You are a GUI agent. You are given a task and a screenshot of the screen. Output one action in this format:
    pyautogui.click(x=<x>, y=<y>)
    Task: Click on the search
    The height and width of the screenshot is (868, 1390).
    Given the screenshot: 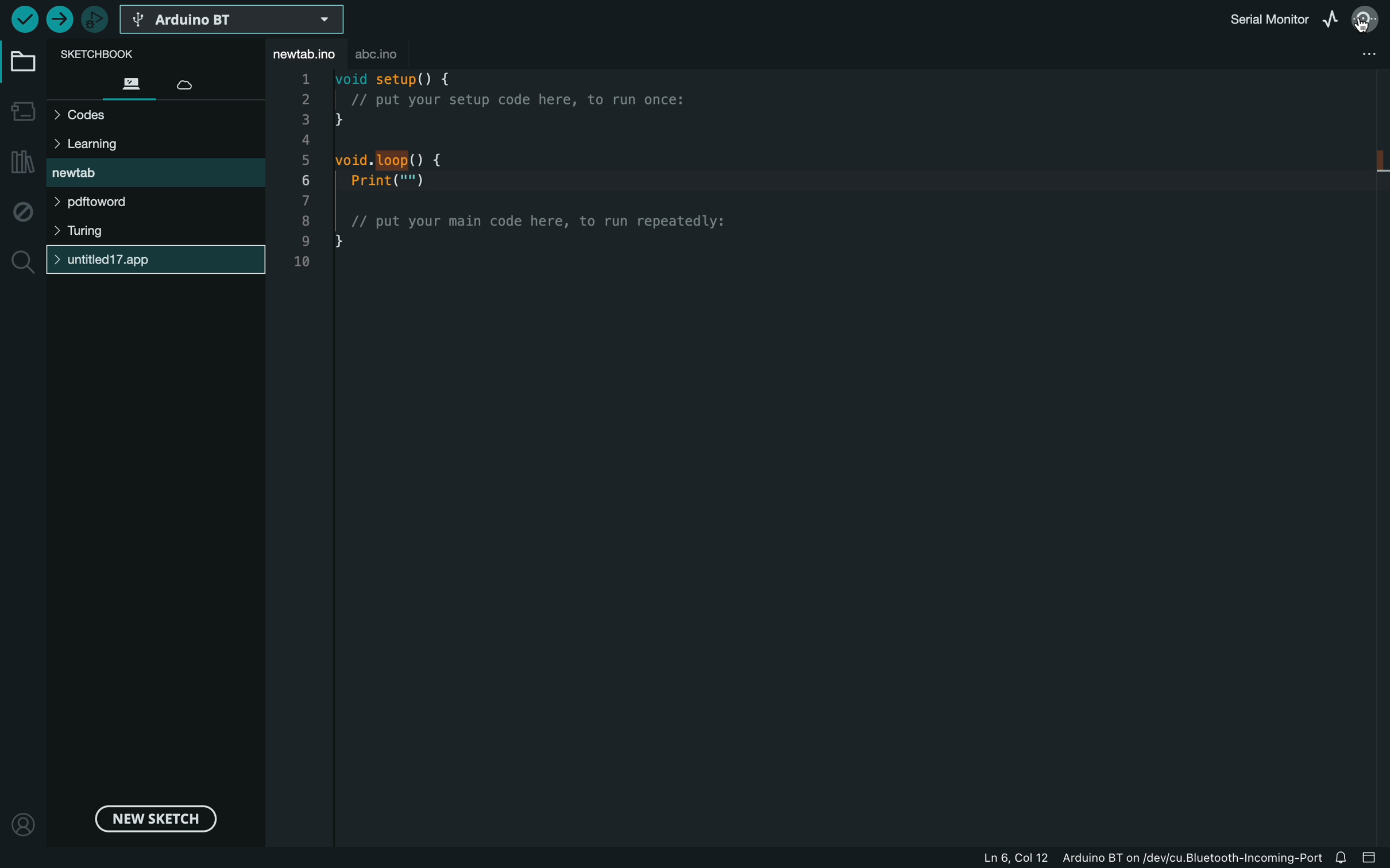 What is the action you would take?
    pyautogui.click(x=23, y=261)
    